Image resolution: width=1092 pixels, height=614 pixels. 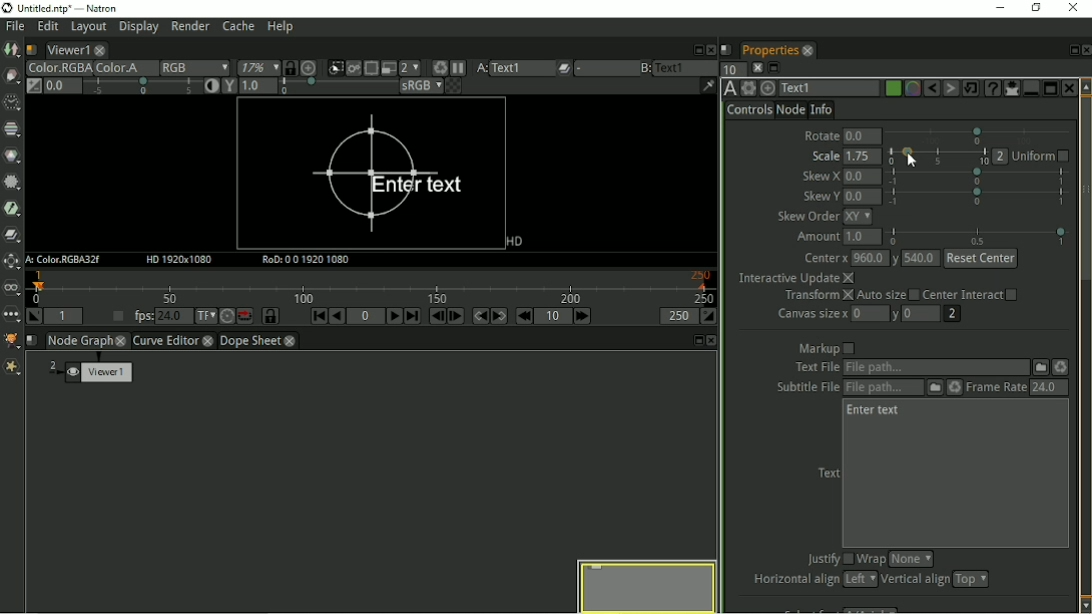 I want to click on Playback in point, so click(x=64, y=316).